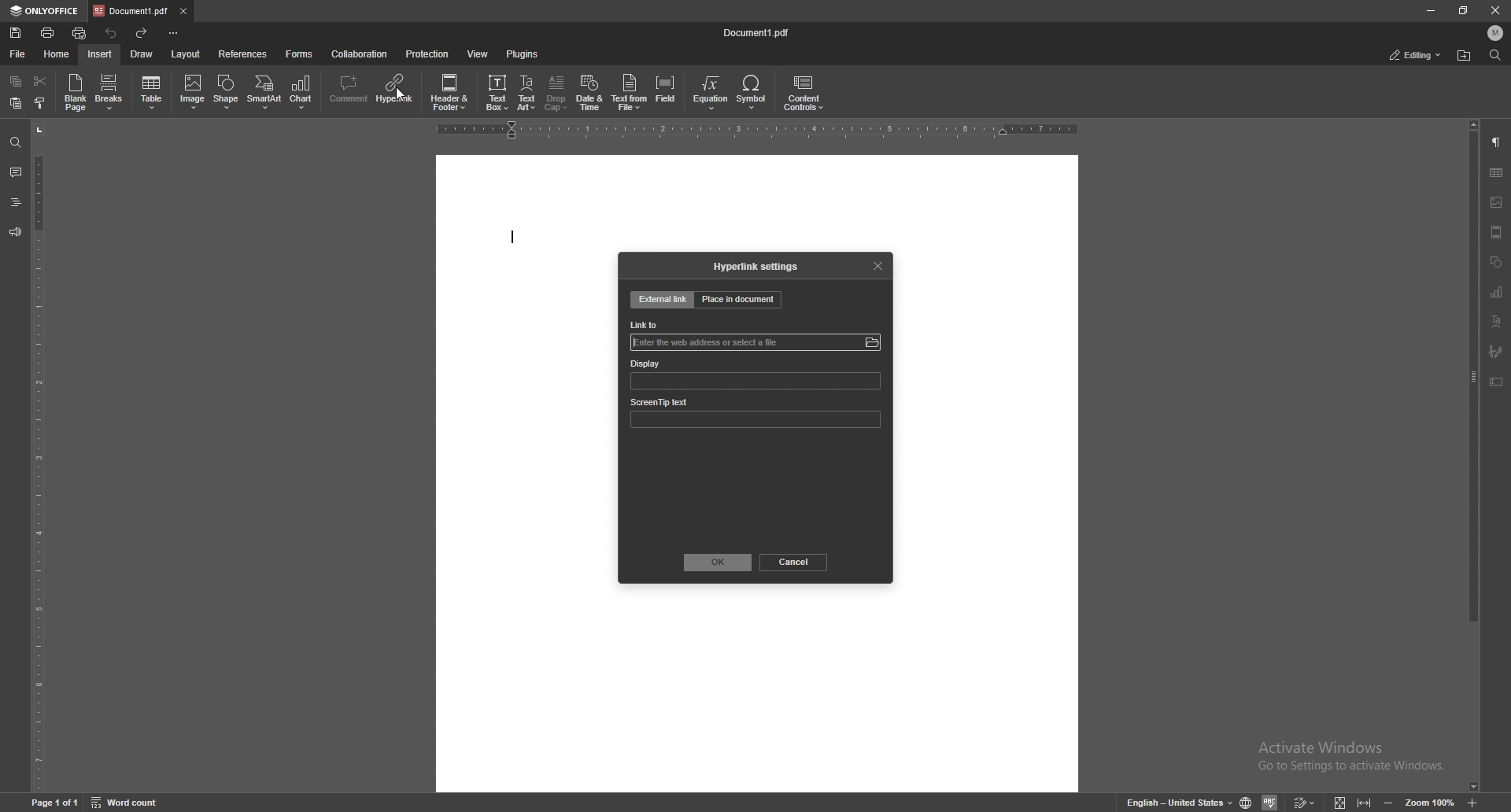  Describe the element at coordinates (174, 33) in the screenshot. I see `configure toolbar` at that location.